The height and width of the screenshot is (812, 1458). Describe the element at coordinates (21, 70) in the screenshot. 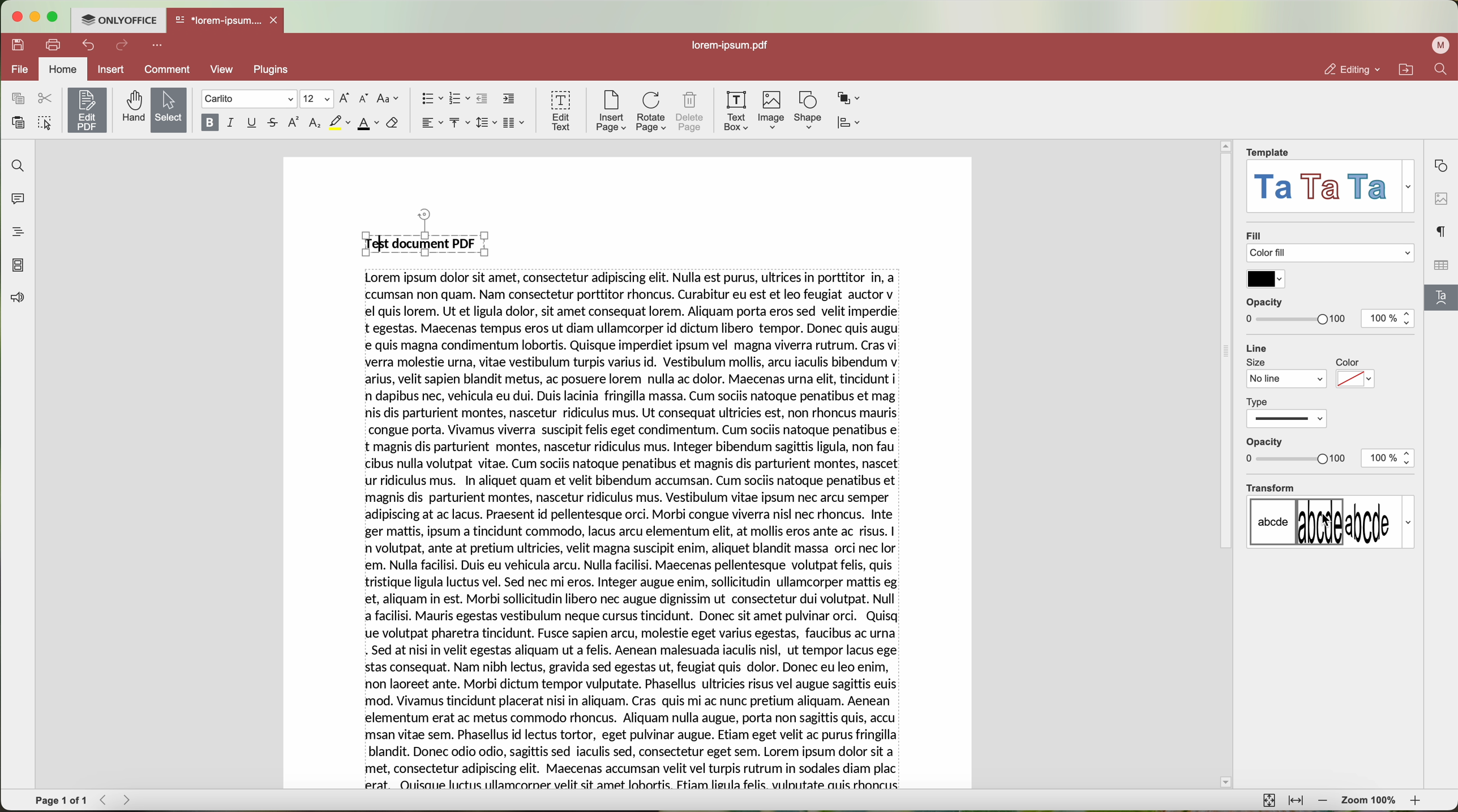

I see `file` at that location.